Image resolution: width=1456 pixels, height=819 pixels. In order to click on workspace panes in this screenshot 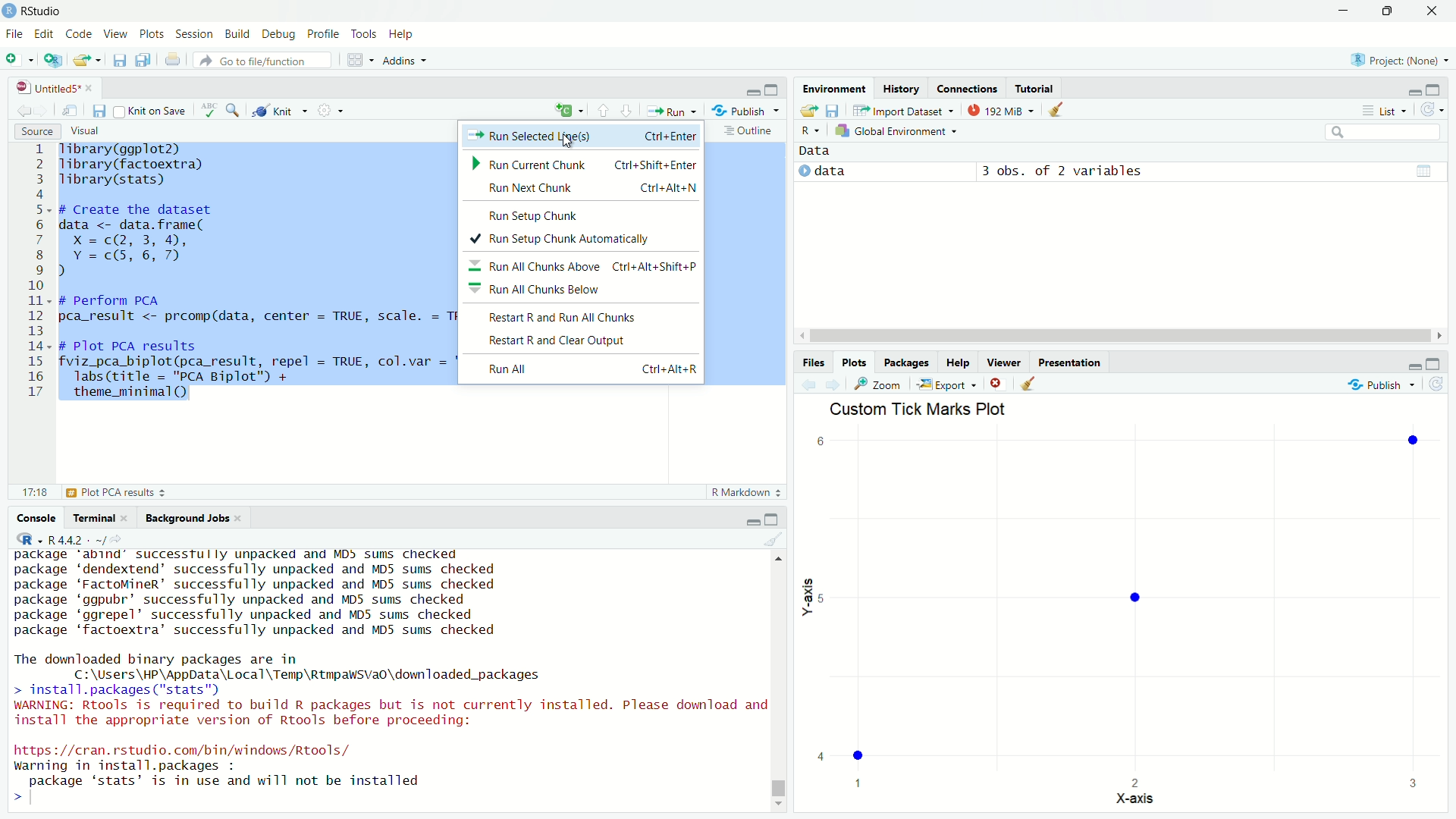, I will do `click(357, 60)`.